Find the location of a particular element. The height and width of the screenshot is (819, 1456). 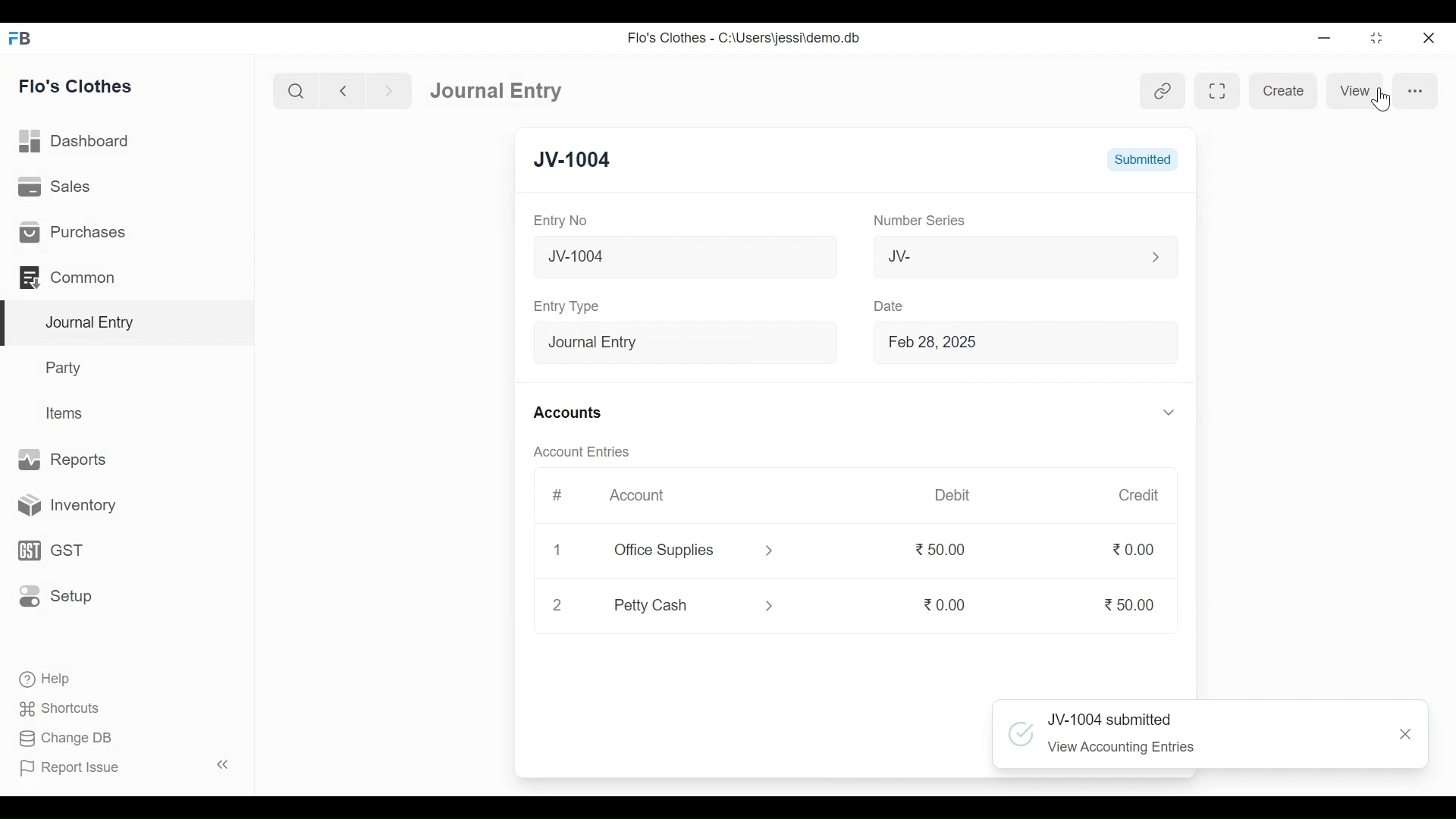

Debit is located at coordinates (943, 495).